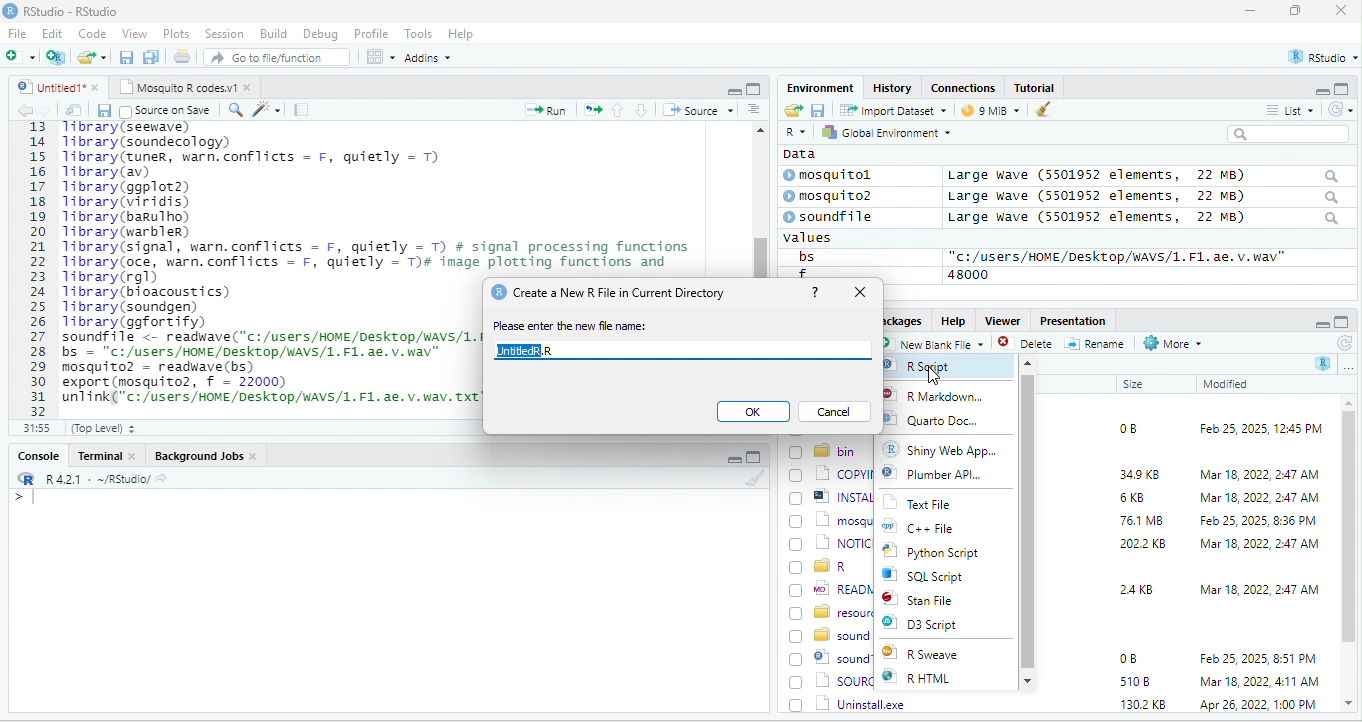  What do you see at coordinates (153, 58) in the screenshot?
I see `save as` at bounding box center [153, 58].